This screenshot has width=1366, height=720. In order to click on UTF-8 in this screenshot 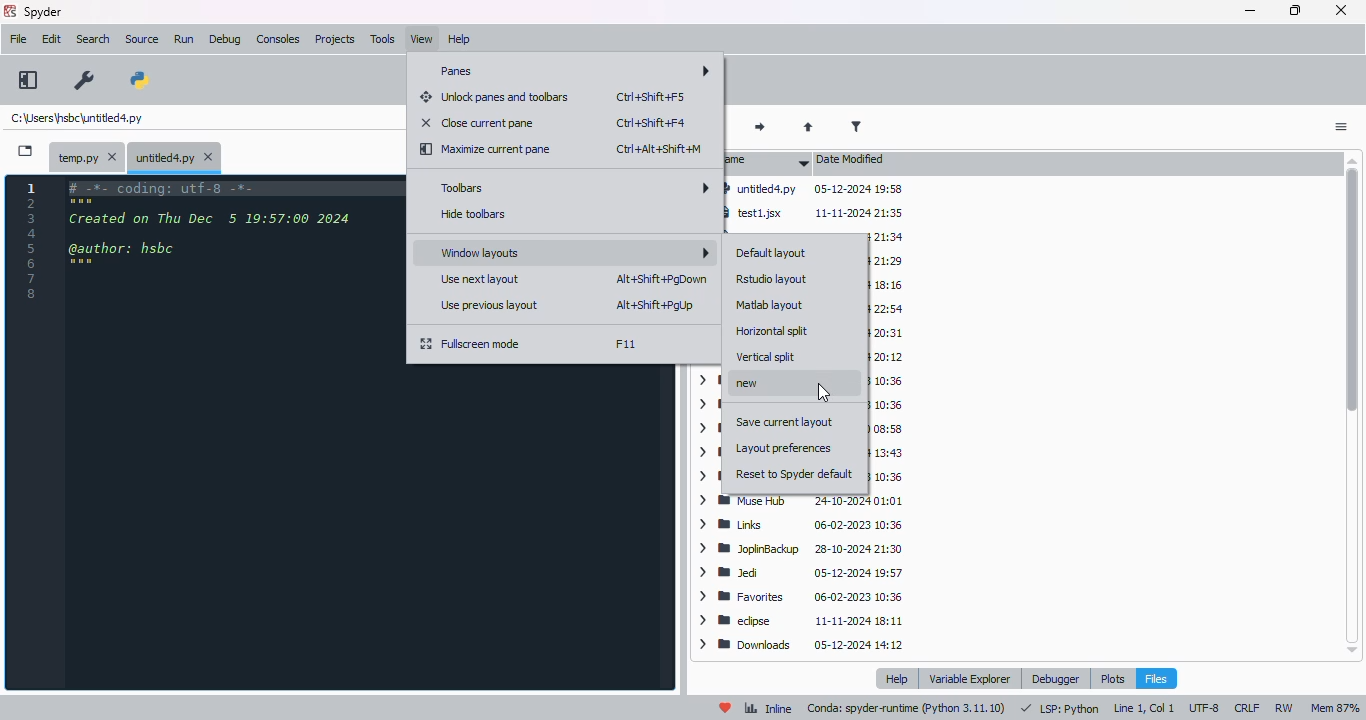, I will do `click(1206, 708)`.